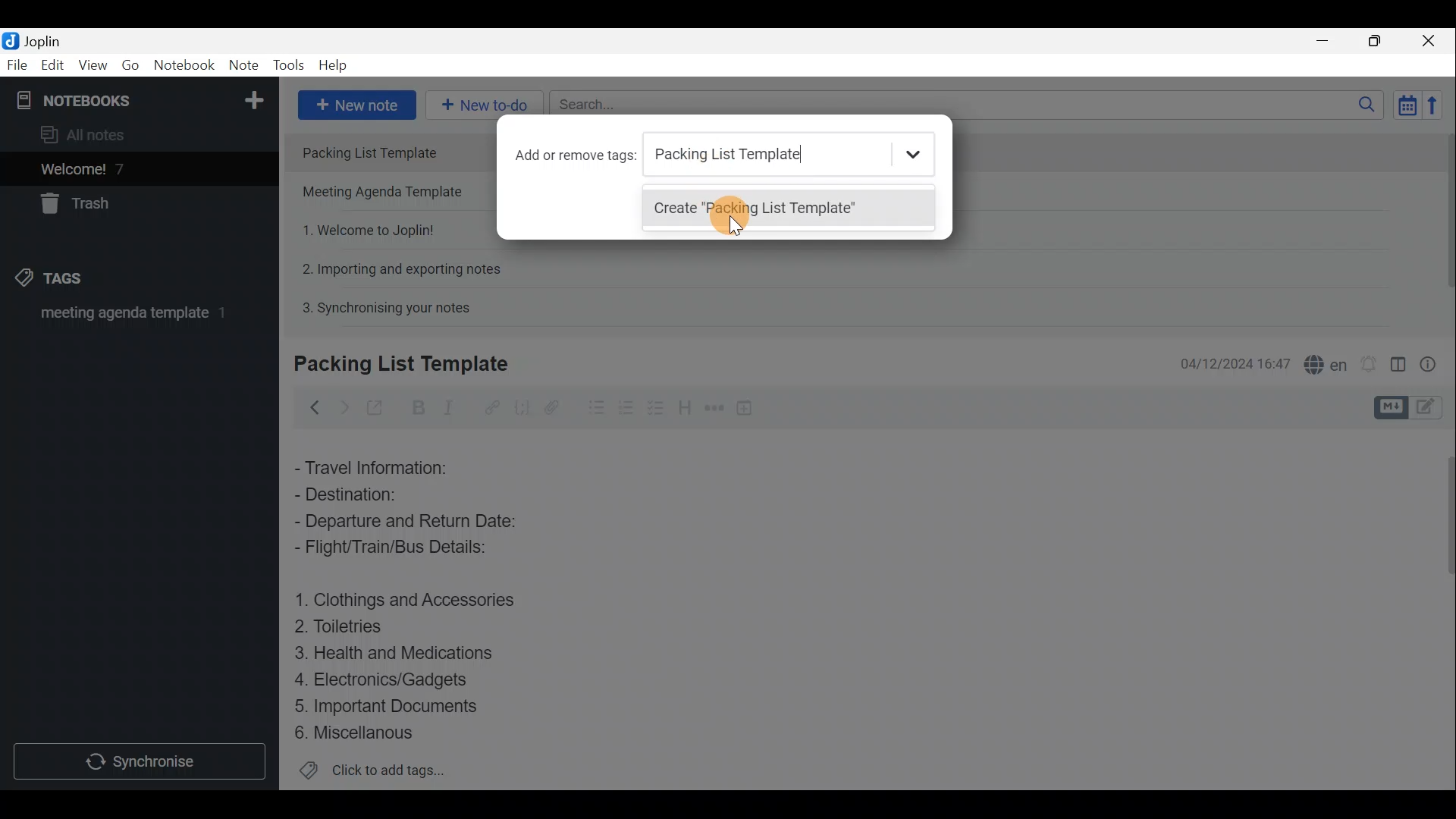 Image resolution: width=1456 pixels, height=819 pixels. What do you see at coordinates (734, 229) in the screenshot?
I see `cursor` at bounding box center [734, 229].